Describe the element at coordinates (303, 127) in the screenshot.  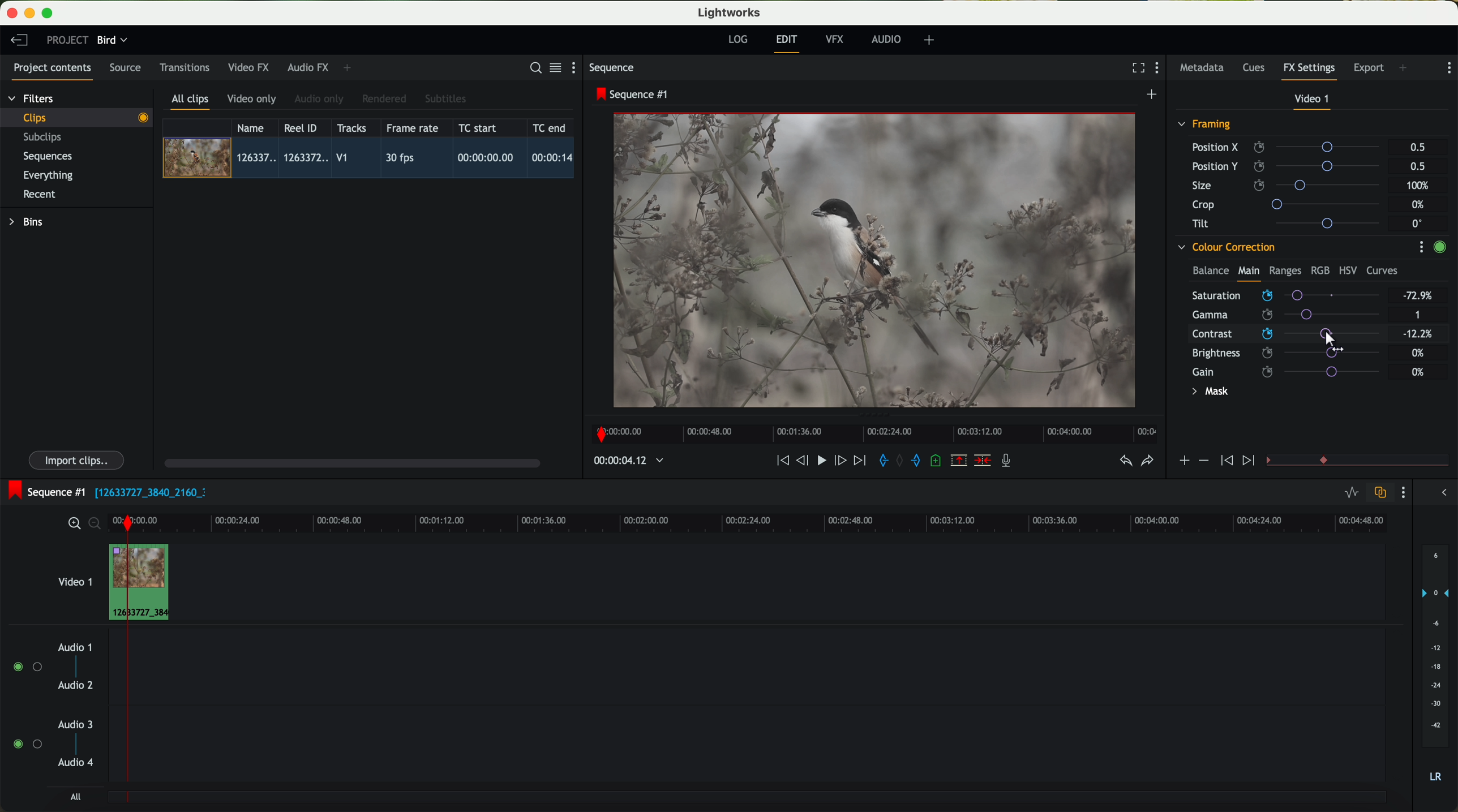
I see `Reel ID` at that location.